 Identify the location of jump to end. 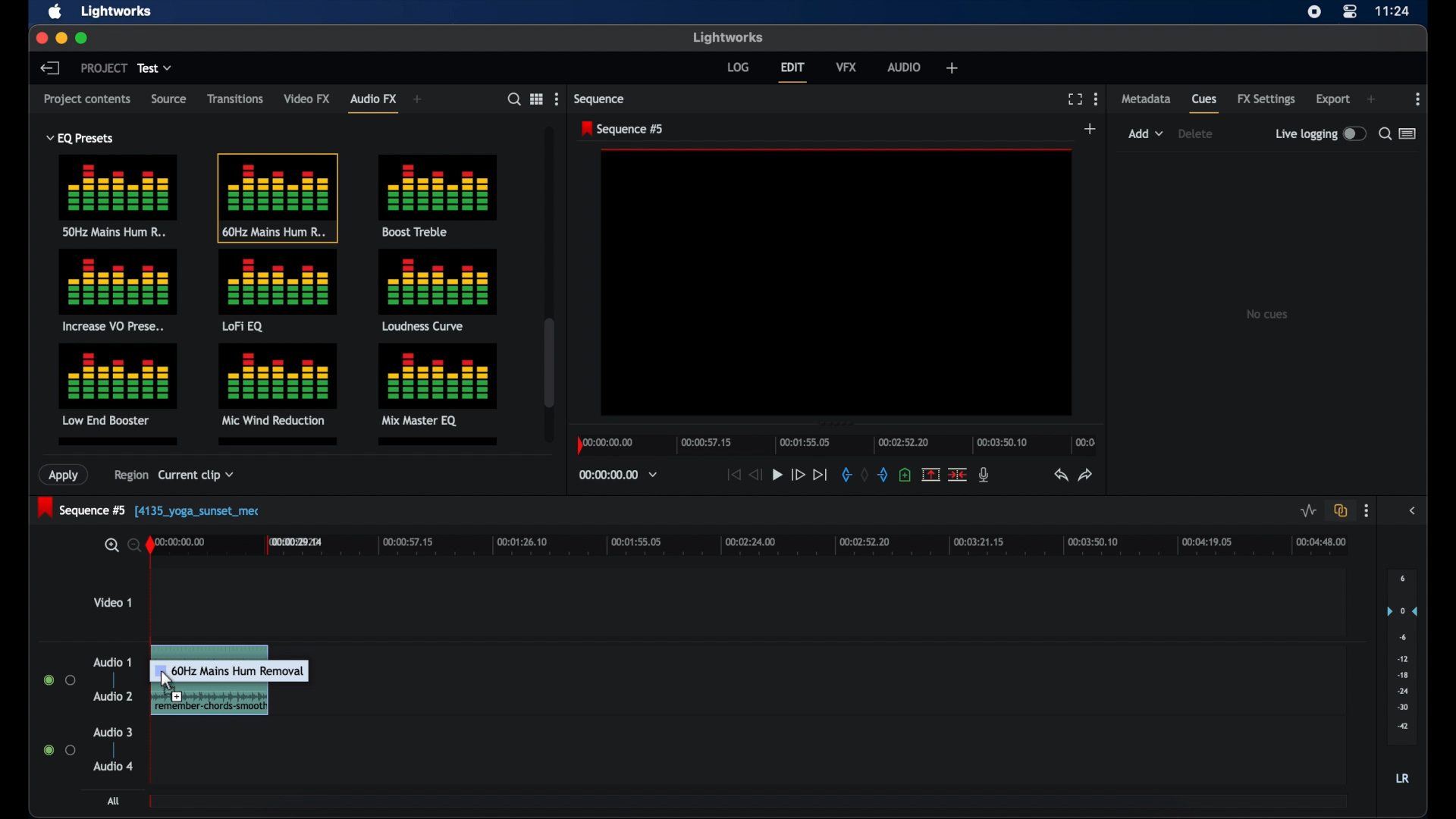
(820, 474).